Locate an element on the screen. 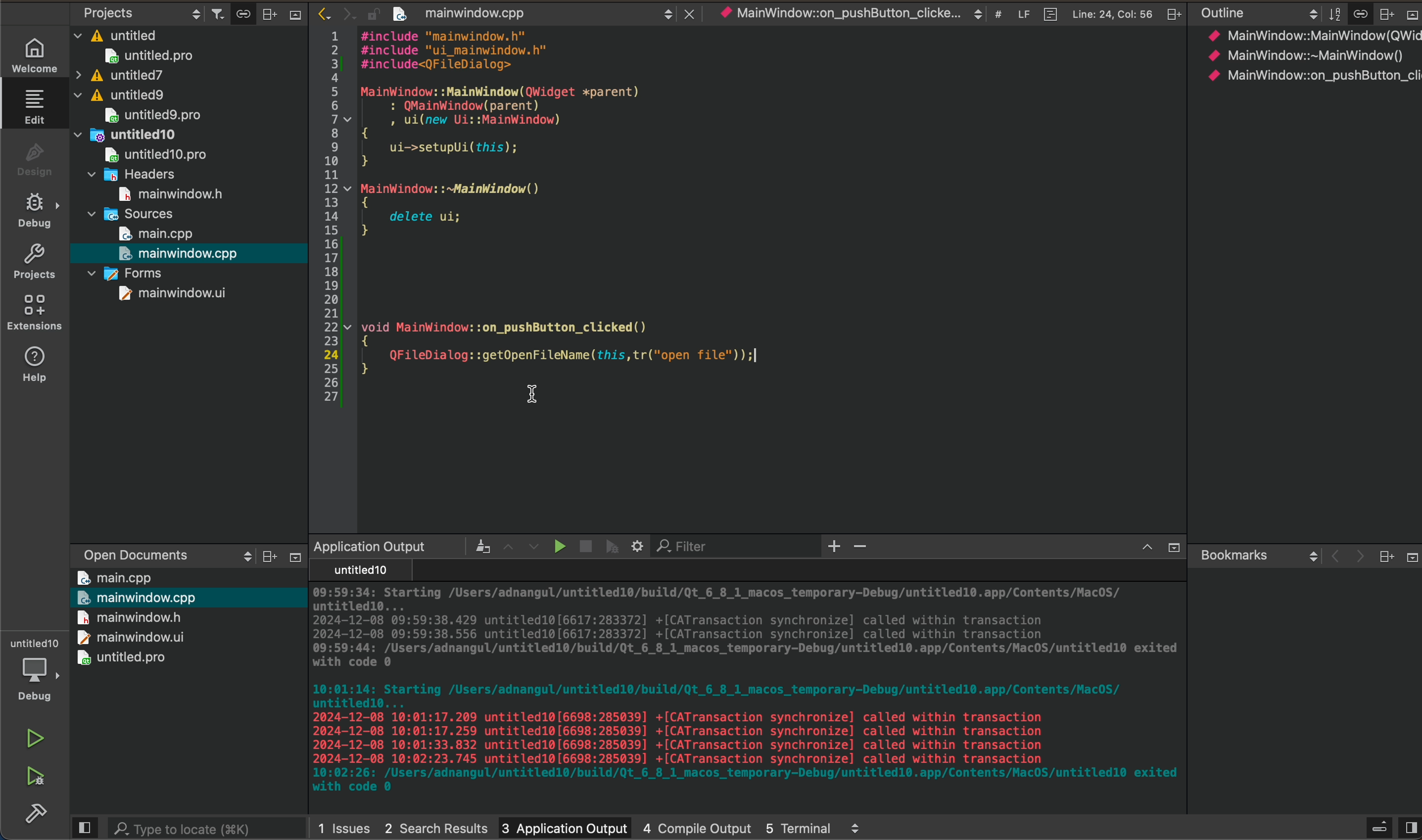 The image size is (1422, 840). split is located at coordinates (1410, 822).